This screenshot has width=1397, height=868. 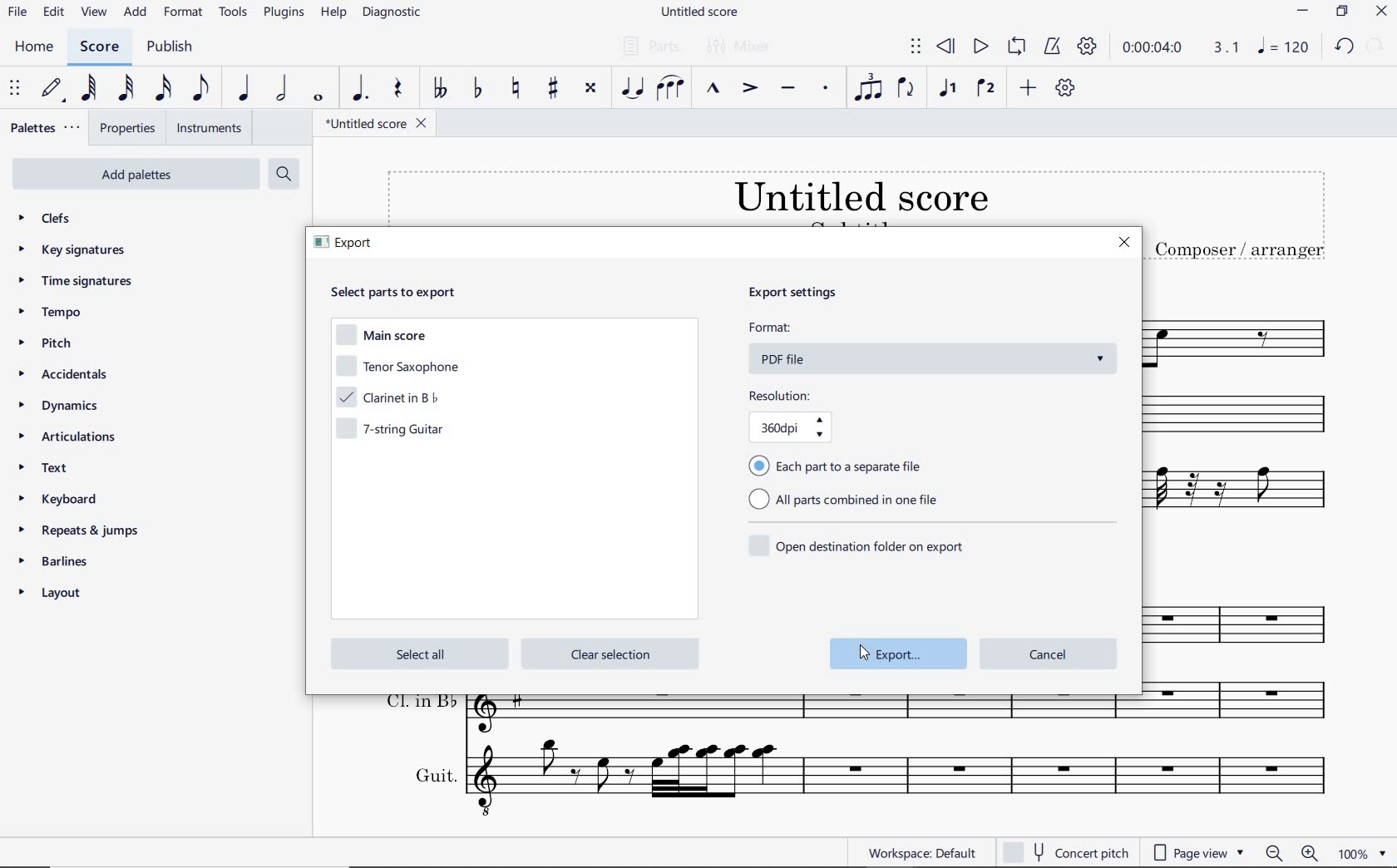 I want to click on PLAYBACK SETTINGS, so click(x=1089, y=48).